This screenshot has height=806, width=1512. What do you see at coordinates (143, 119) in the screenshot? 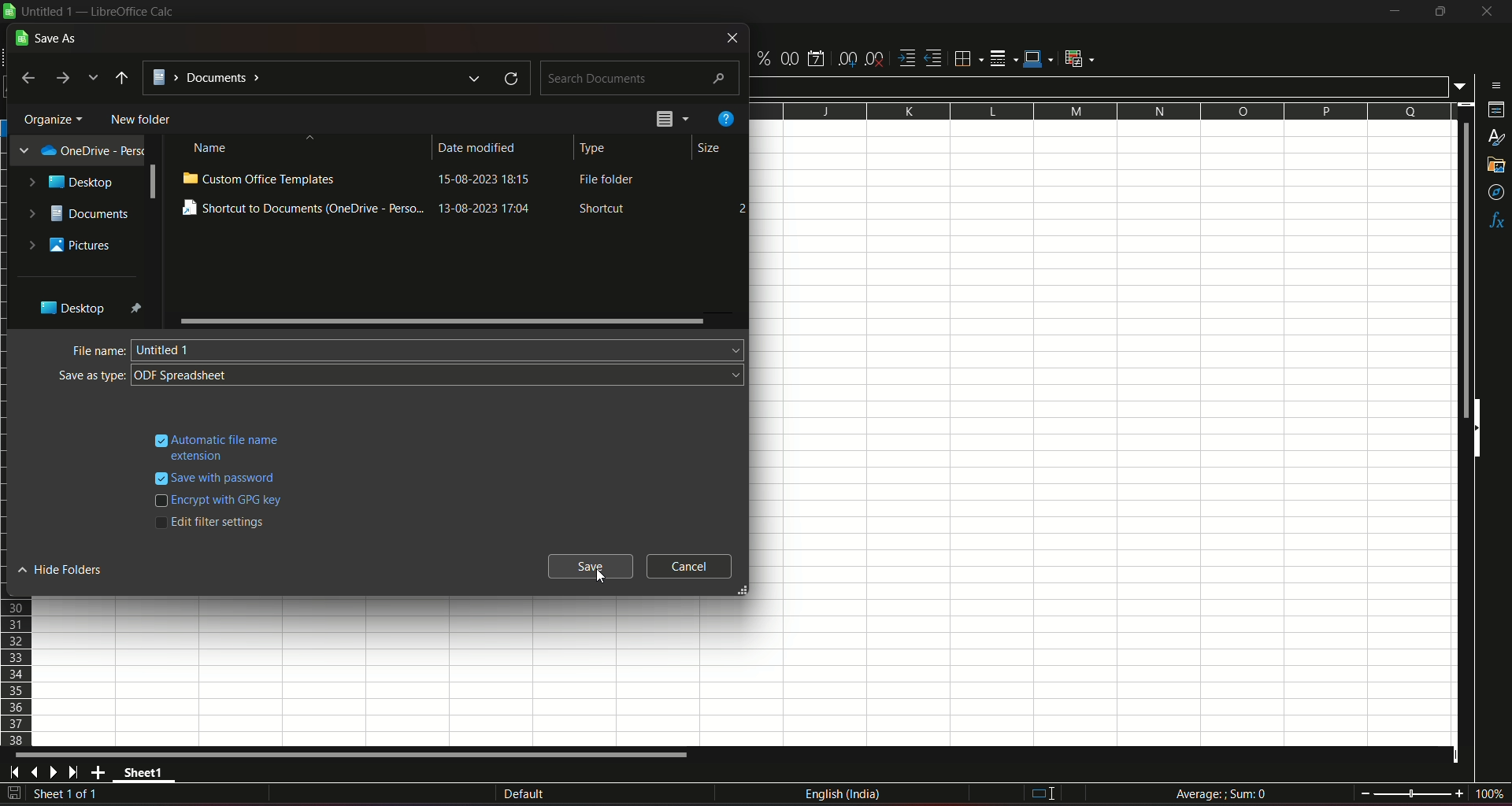
I see `new folder` at bounding box center [143, 119].